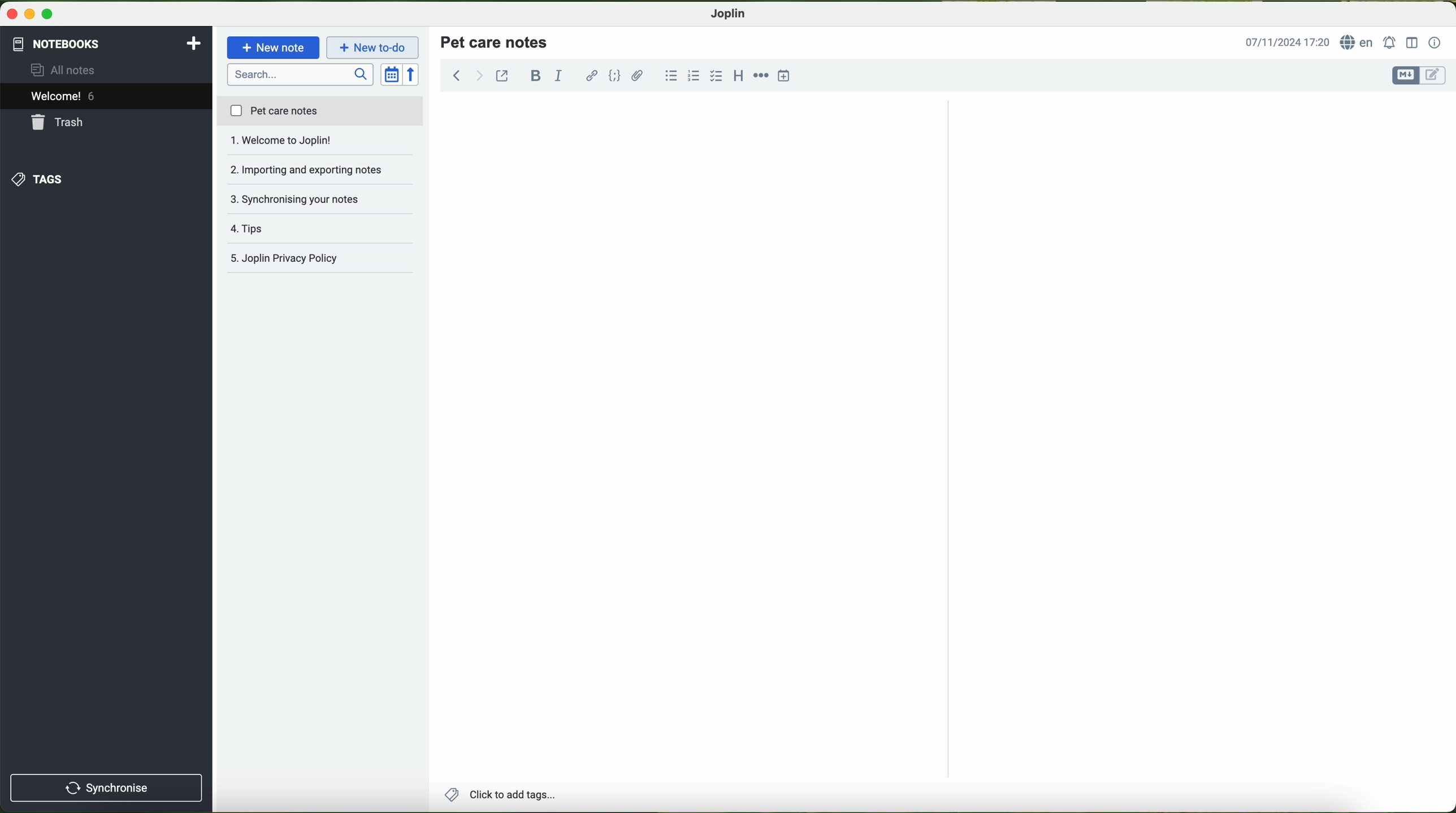  Describe the element at coordinates (274, 47) in the screenshot. I see `new note button` at that location.